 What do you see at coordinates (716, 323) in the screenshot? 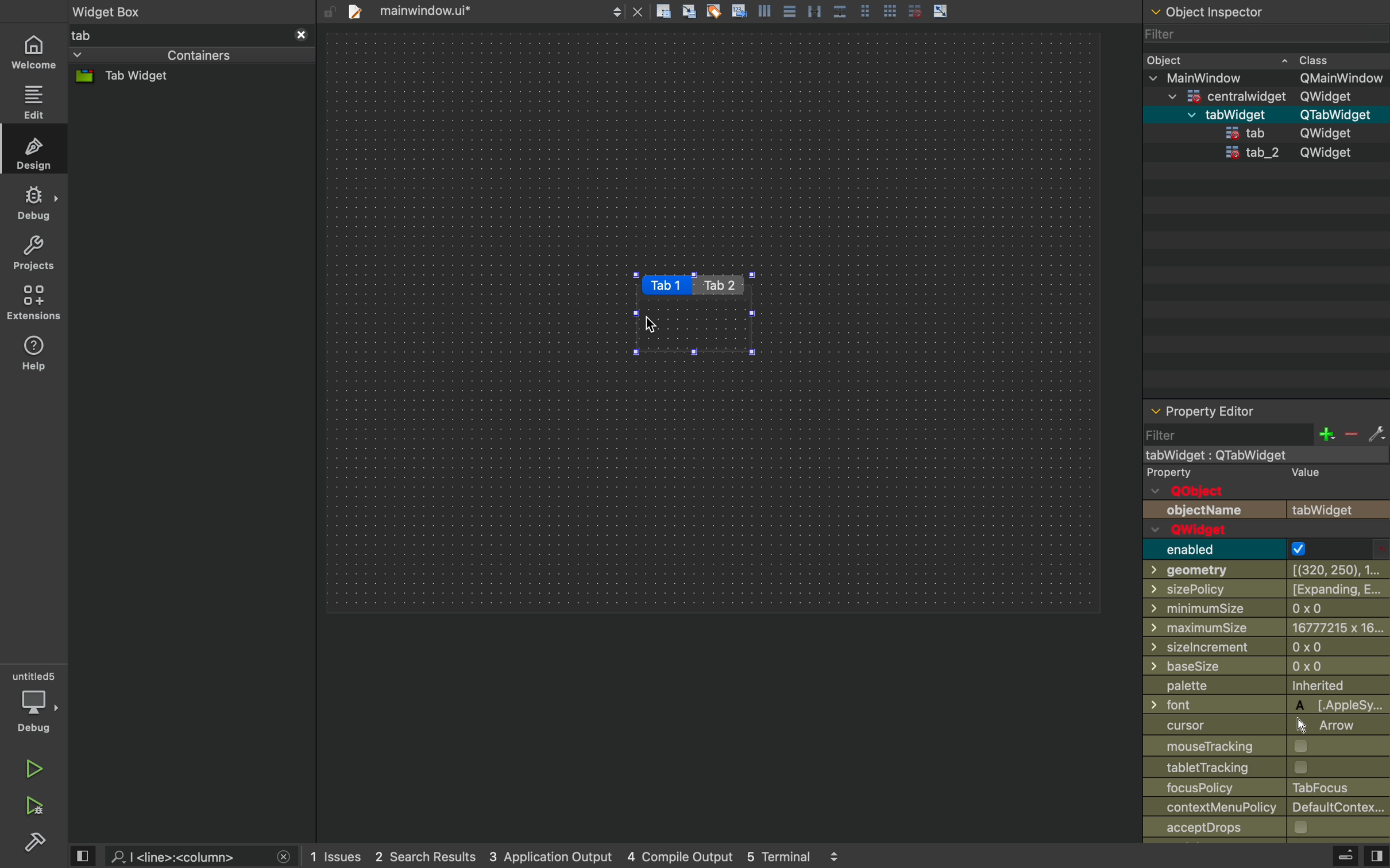
I see `Design area` at bounding box center [716, 323].